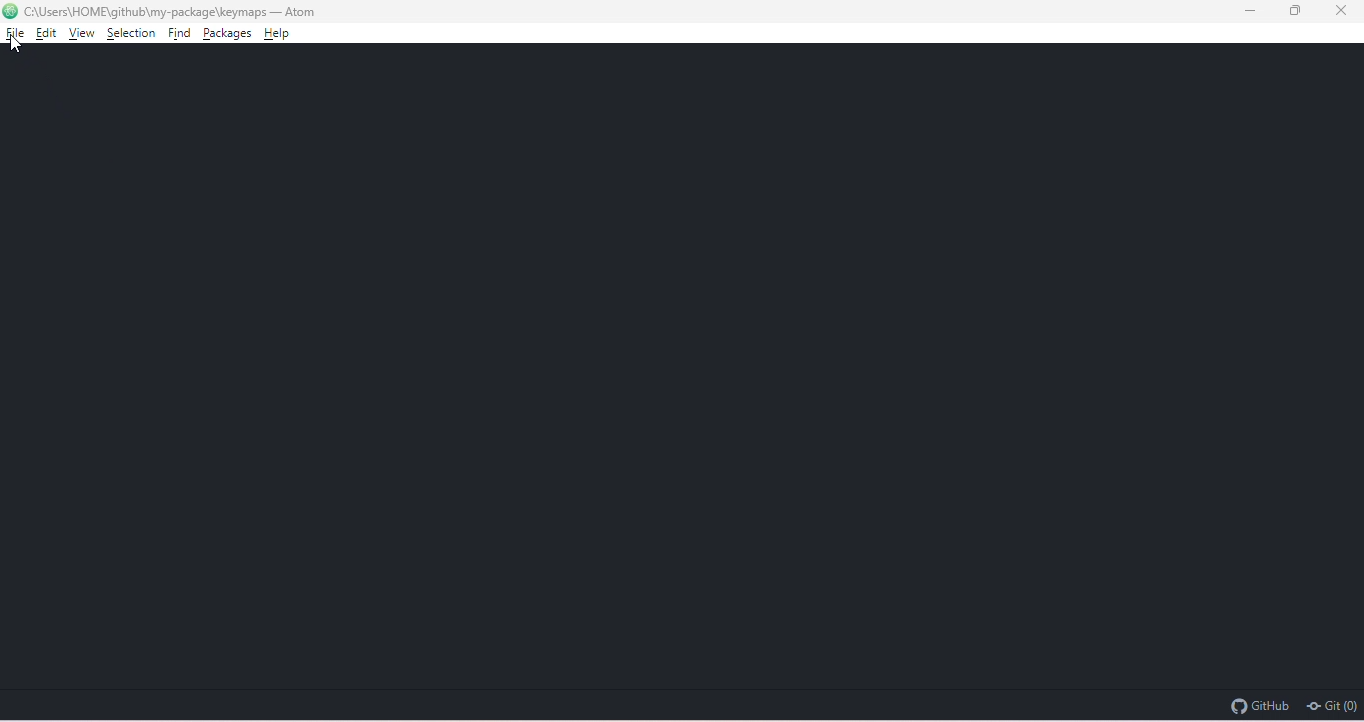 The height and width of the screenshot is (722, 1364). Describe the element at coordinates (281, 33) in the screenshot. I see `help` at that location.